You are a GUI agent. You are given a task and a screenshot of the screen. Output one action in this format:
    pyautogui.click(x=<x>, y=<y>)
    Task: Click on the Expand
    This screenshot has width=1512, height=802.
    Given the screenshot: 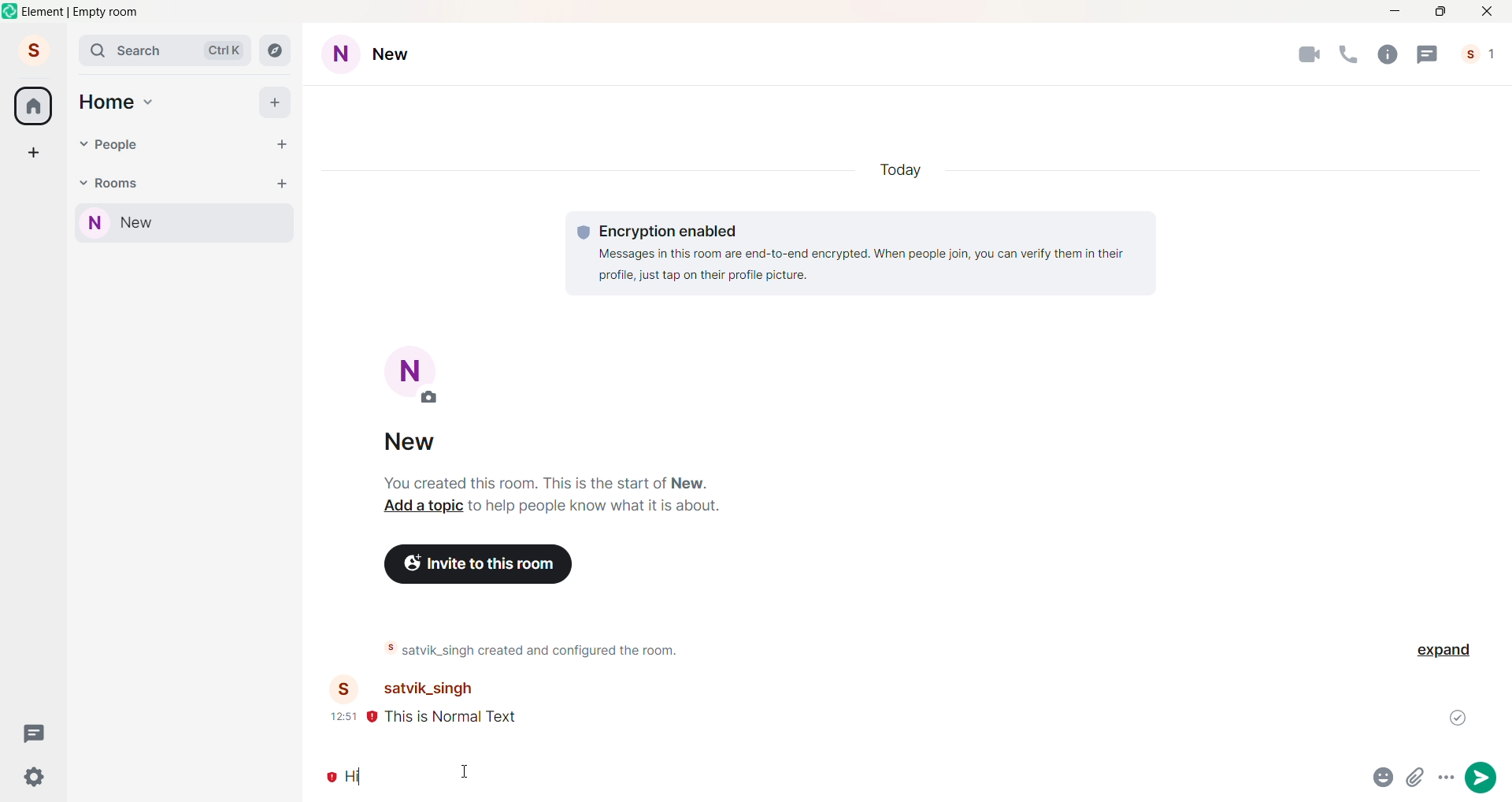 What is the action you would take?
    pyautogui.click(x=1447, y=651)
    